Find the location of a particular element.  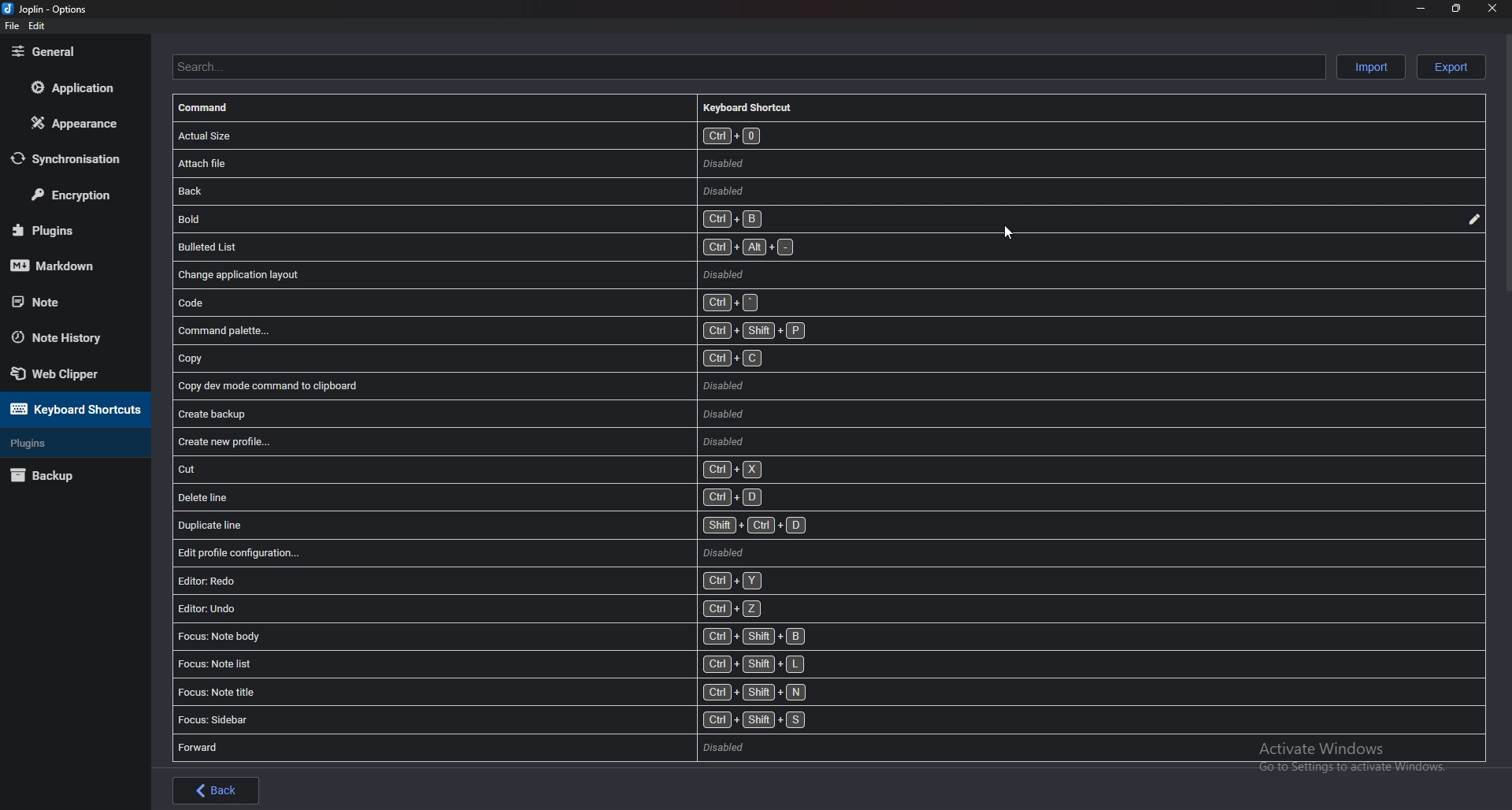

Mark down is located at coordinates (68, 265).